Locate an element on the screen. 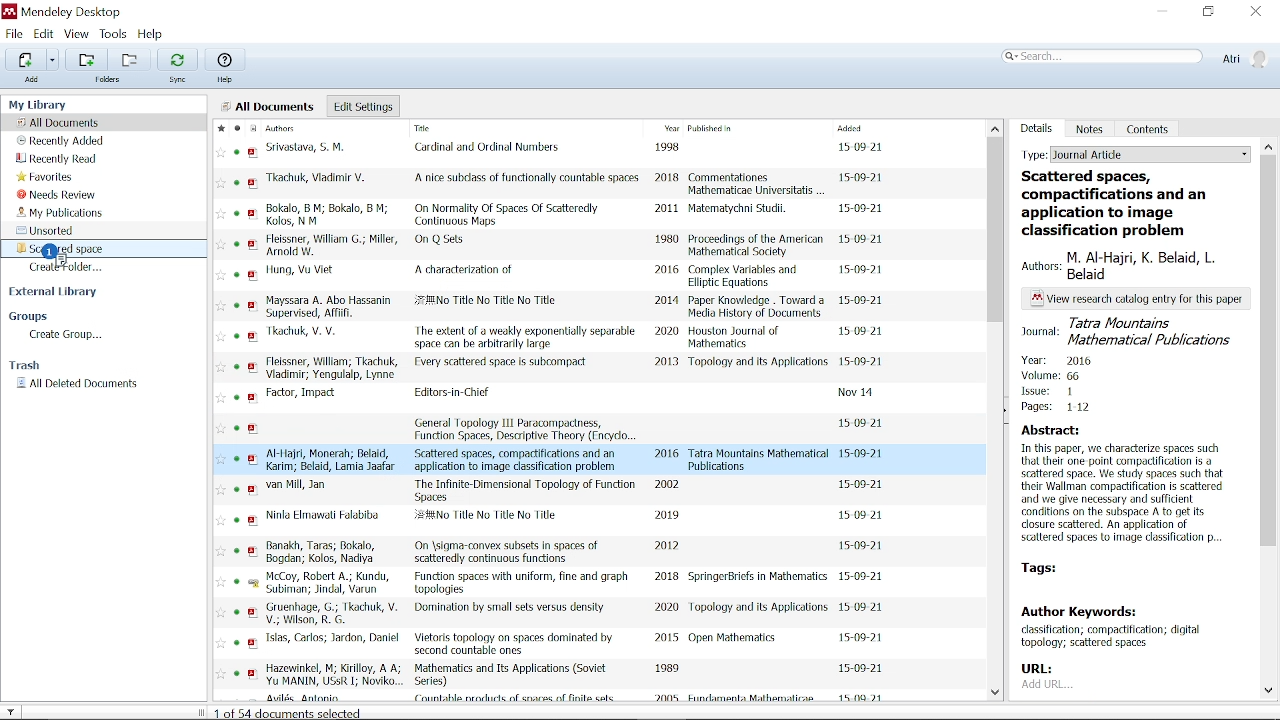 The image size is (1280, 720). favorites is located at coordinates (46, 178).